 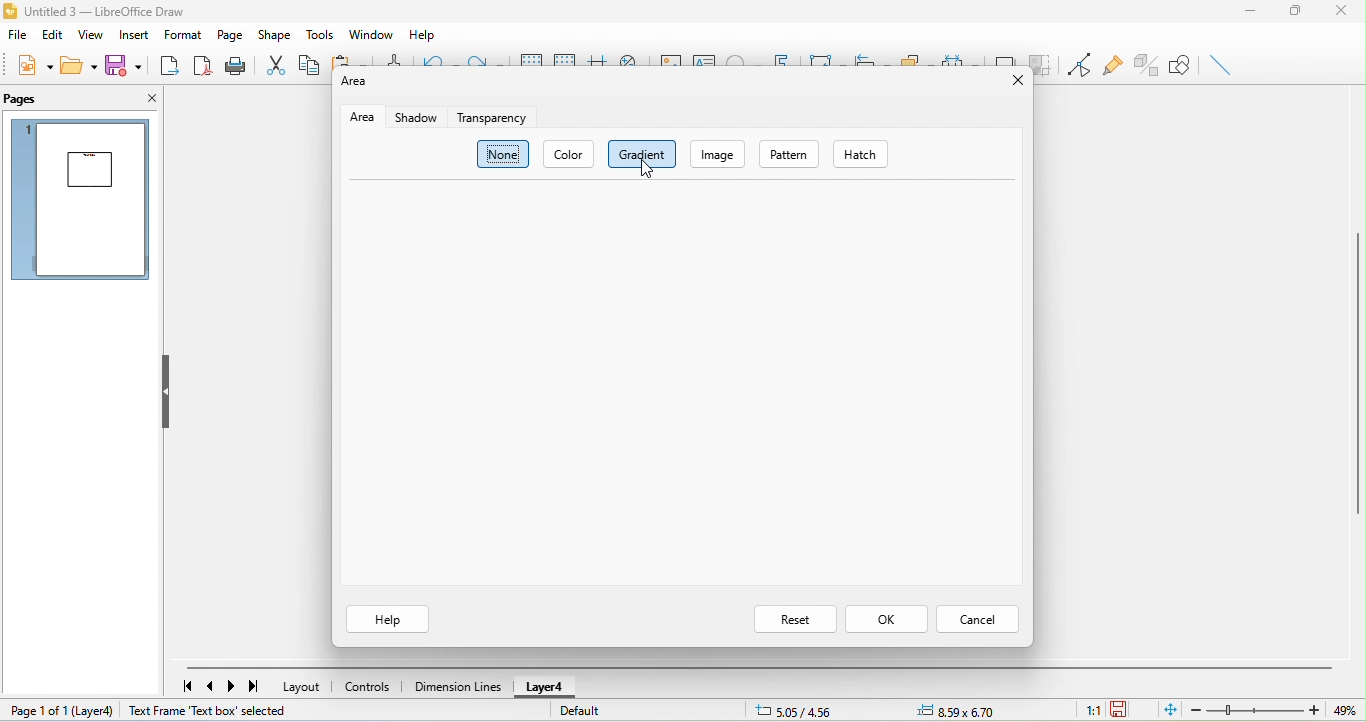 I want to click on export directly as pdf, so click(x=204, y=68).